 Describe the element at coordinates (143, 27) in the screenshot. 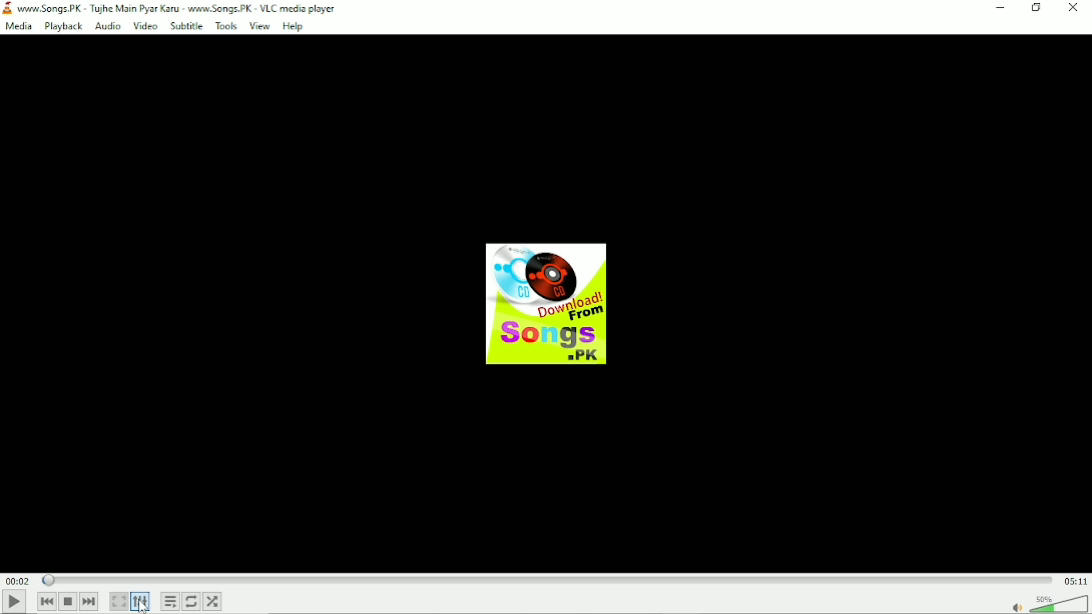

I see `Video` at that location.